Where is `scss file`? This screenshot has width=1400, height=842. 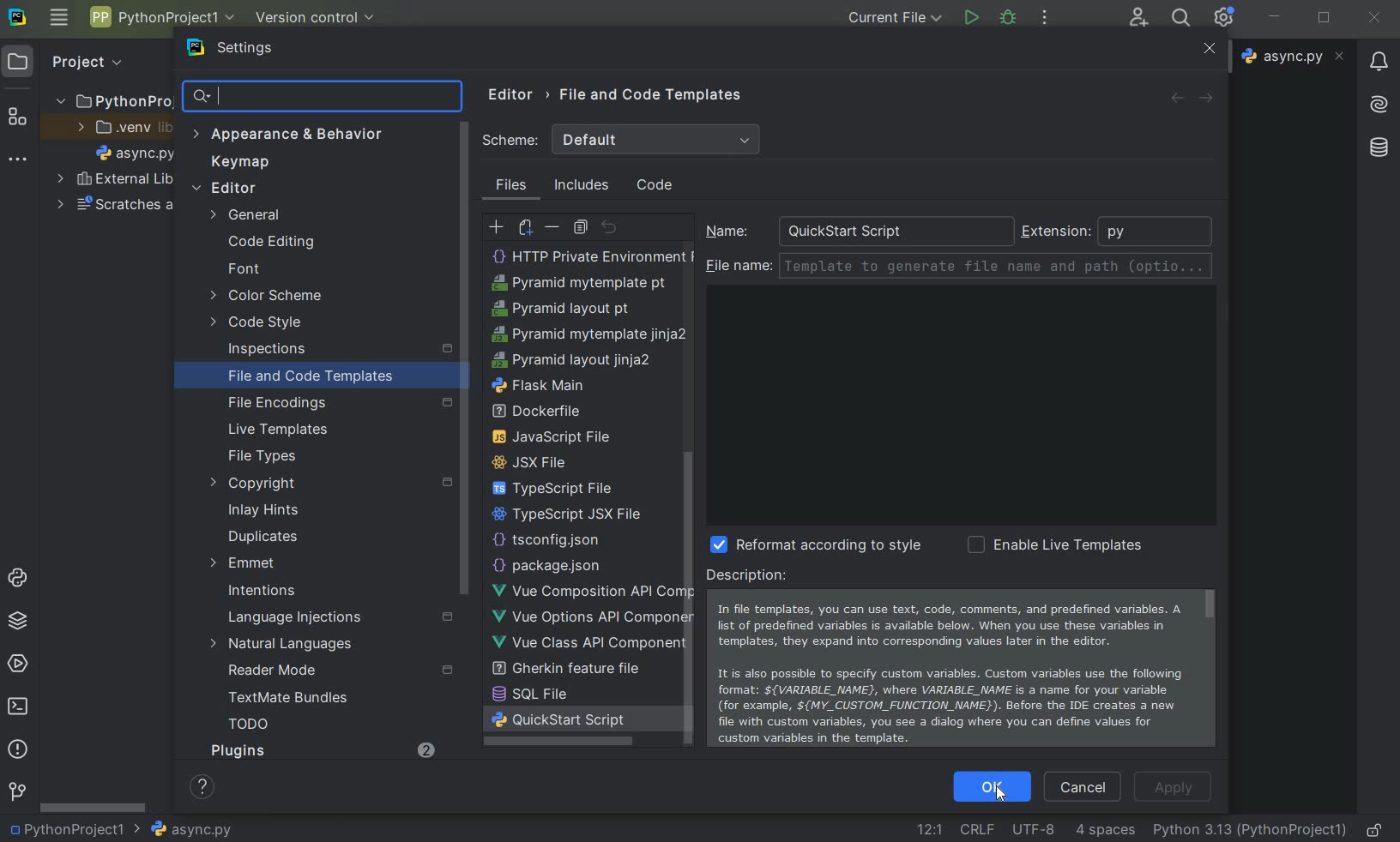
scss file is located at coordinates (548, 486).